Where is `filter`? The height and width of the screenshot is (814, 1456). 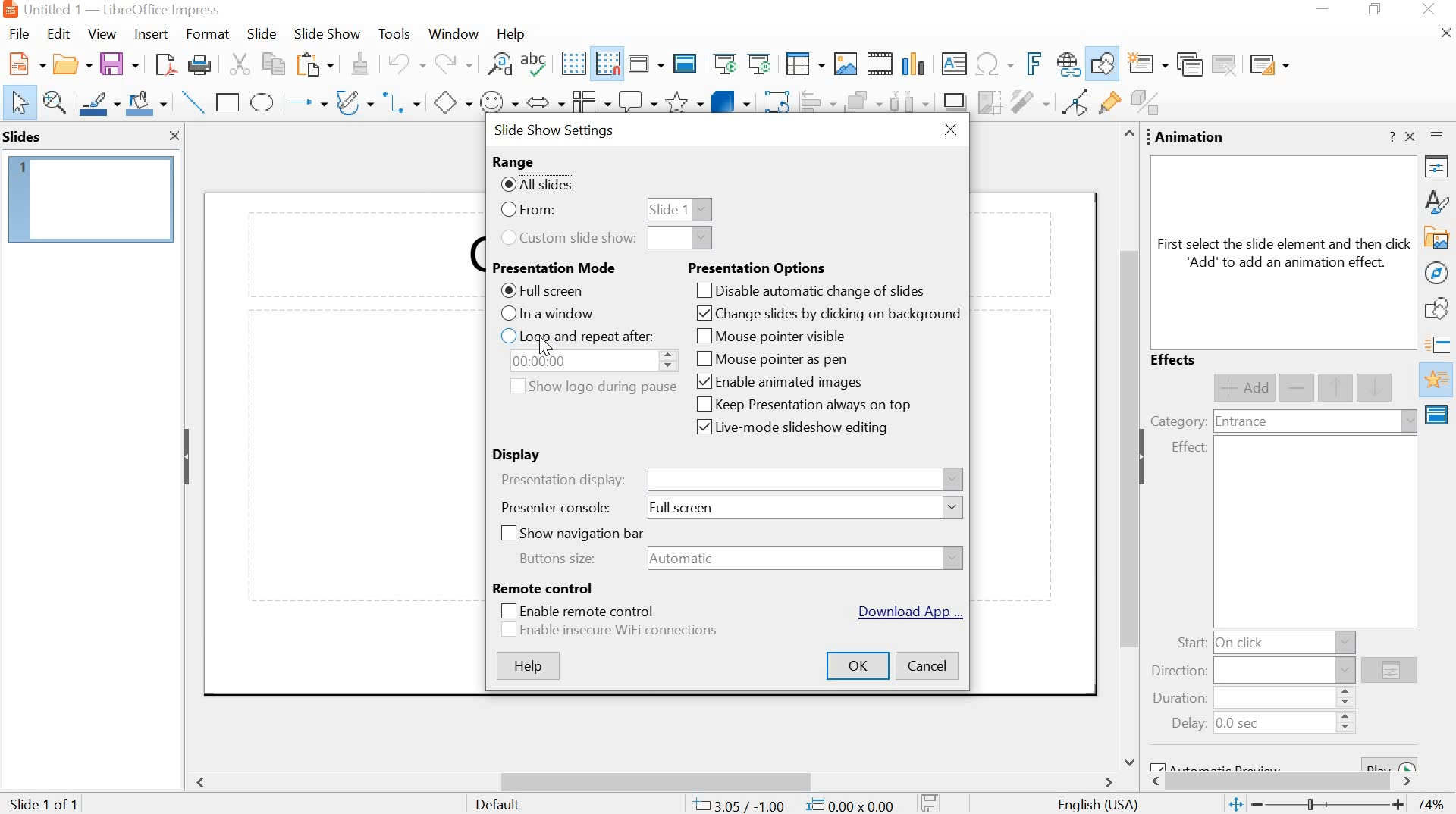 filter is located at coordinates (1029, 102).